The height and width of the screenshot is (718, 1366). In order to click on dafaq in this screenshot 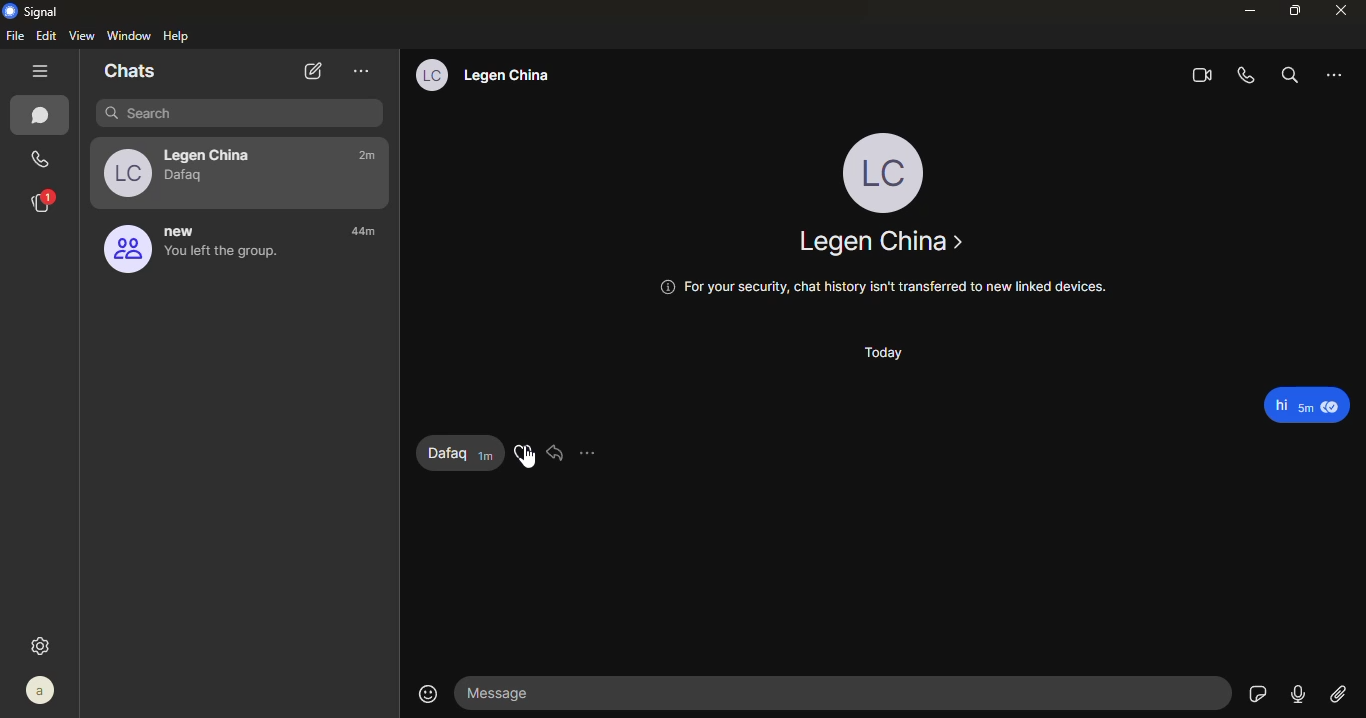, I will do `click(189, 177)`.